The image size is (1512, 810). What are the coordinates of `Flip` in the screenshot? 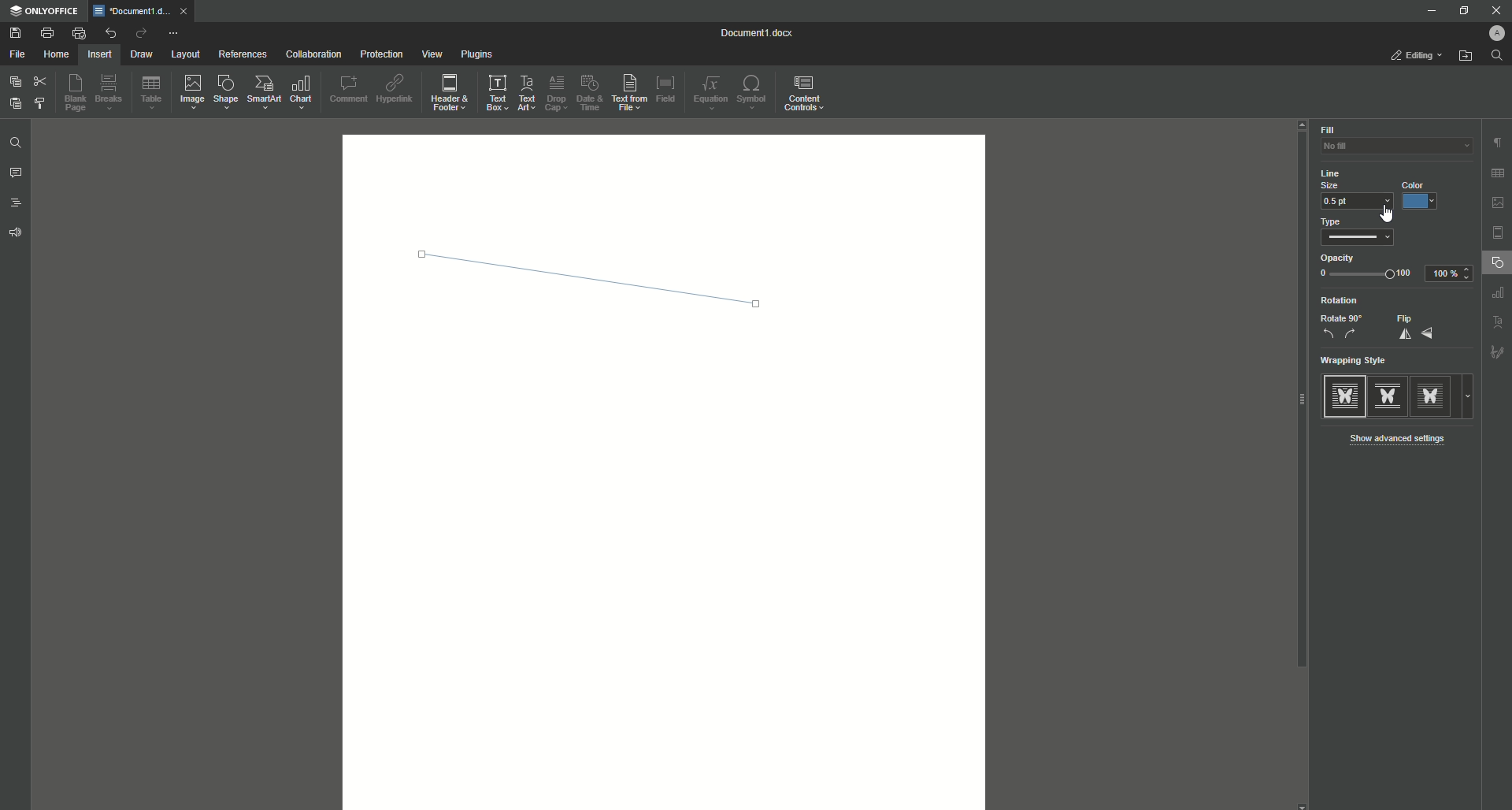 It's located at (1414, 328).